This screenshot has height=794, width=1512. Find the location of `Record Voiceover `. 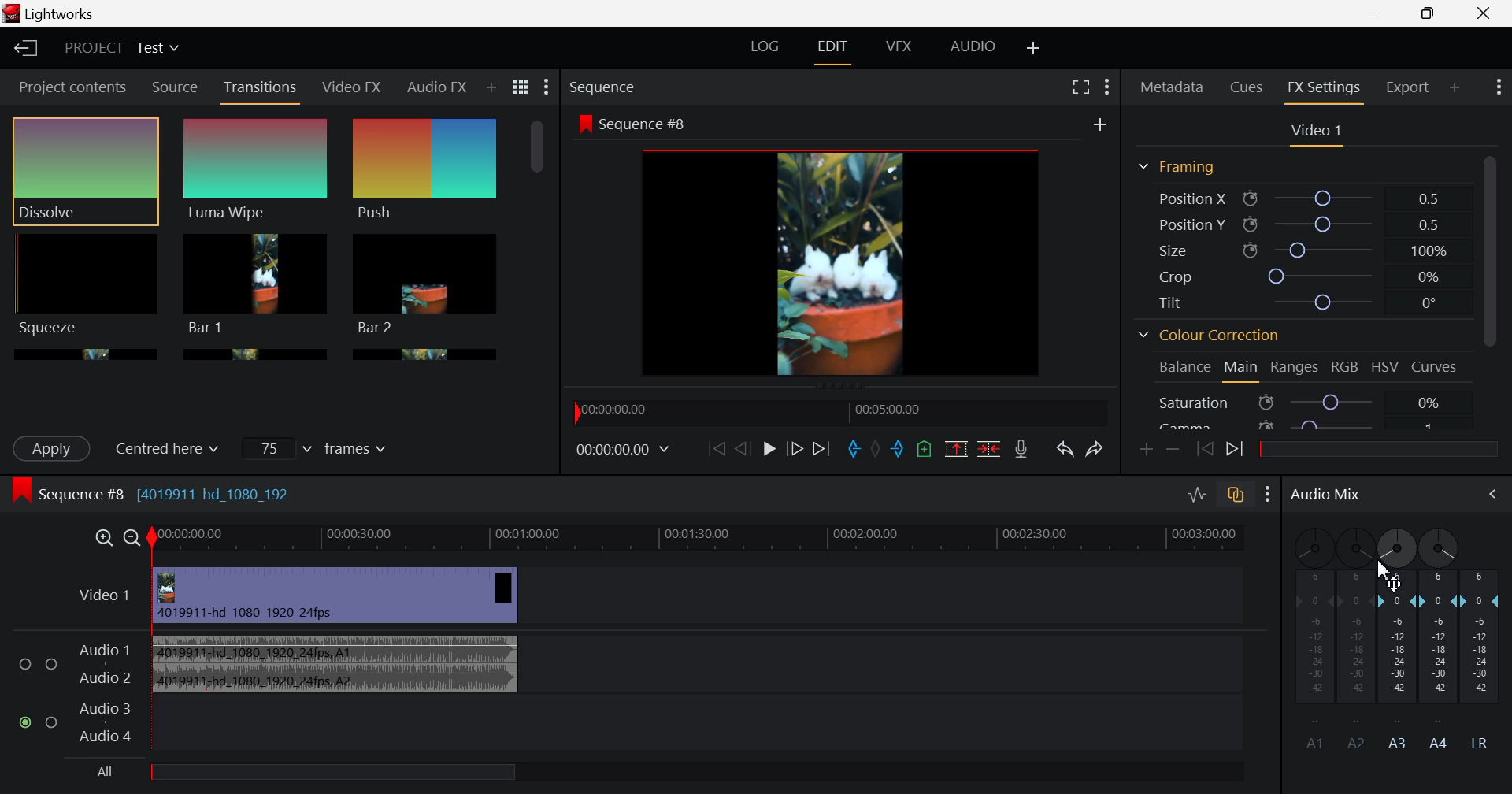

Record Voiceover  is located at coordinates (1021, 448).